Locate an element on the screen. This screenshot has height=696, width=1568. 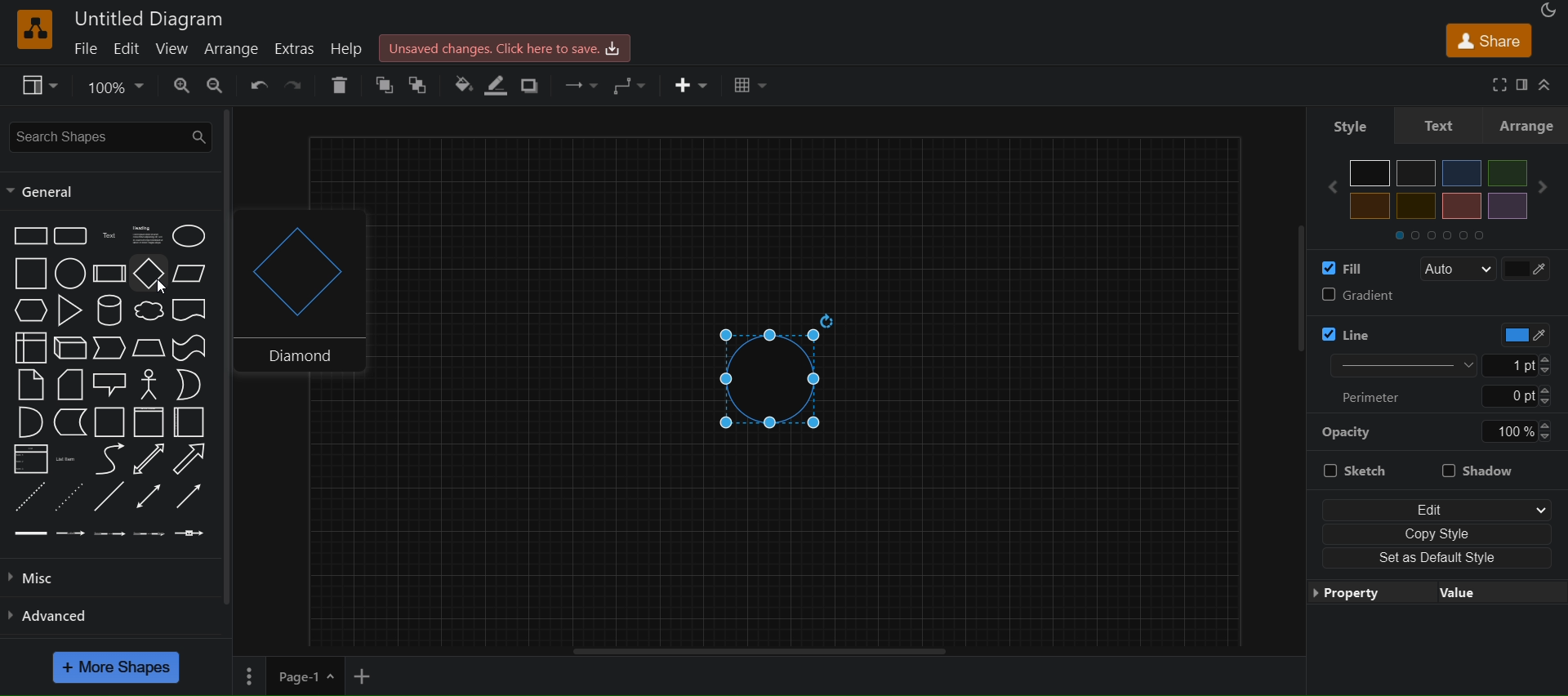
share is located at coordinates (1488, 39).